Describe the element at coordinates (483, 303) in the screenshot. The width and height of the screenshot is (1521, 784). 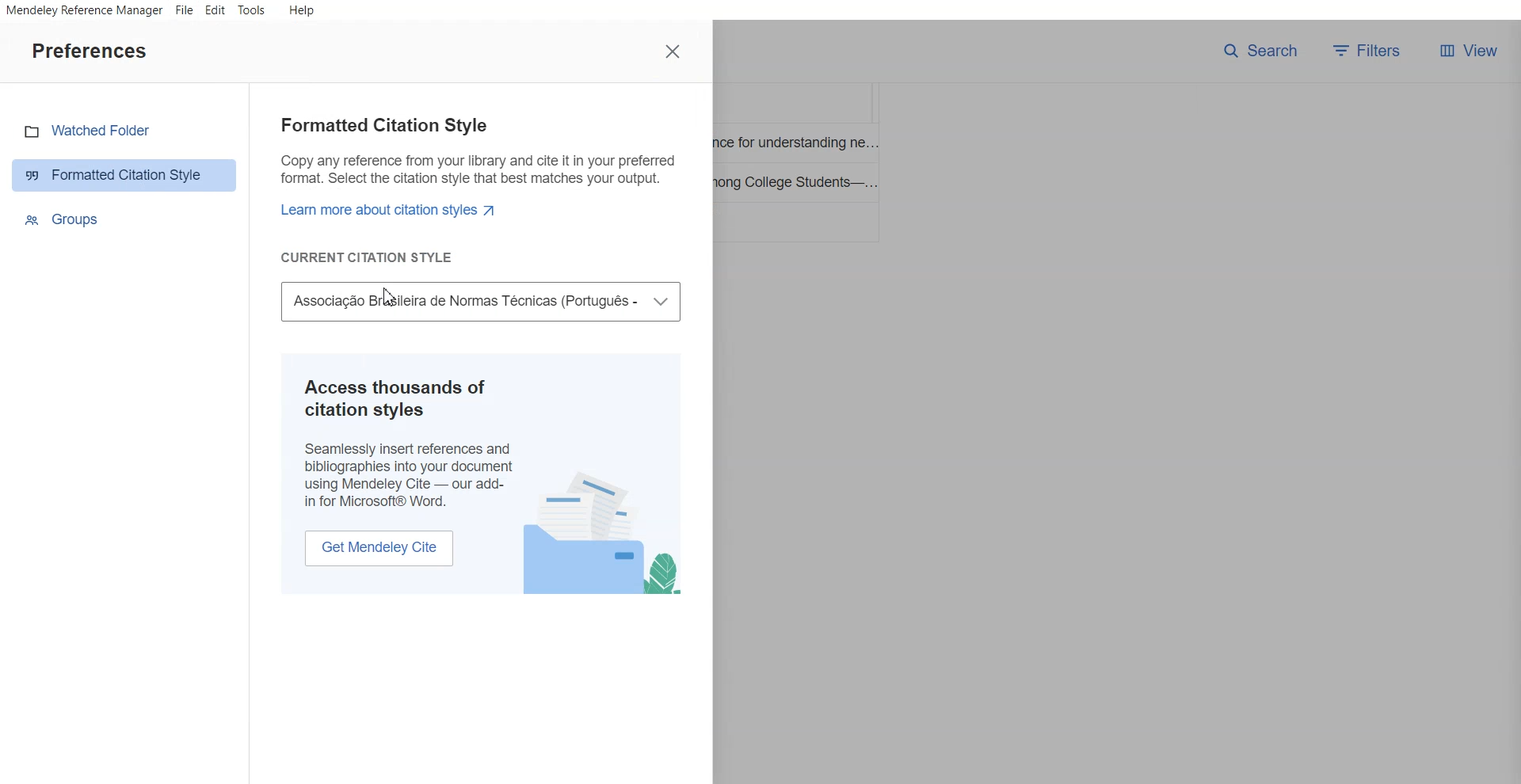
I see `Associate brazileria` at that location.